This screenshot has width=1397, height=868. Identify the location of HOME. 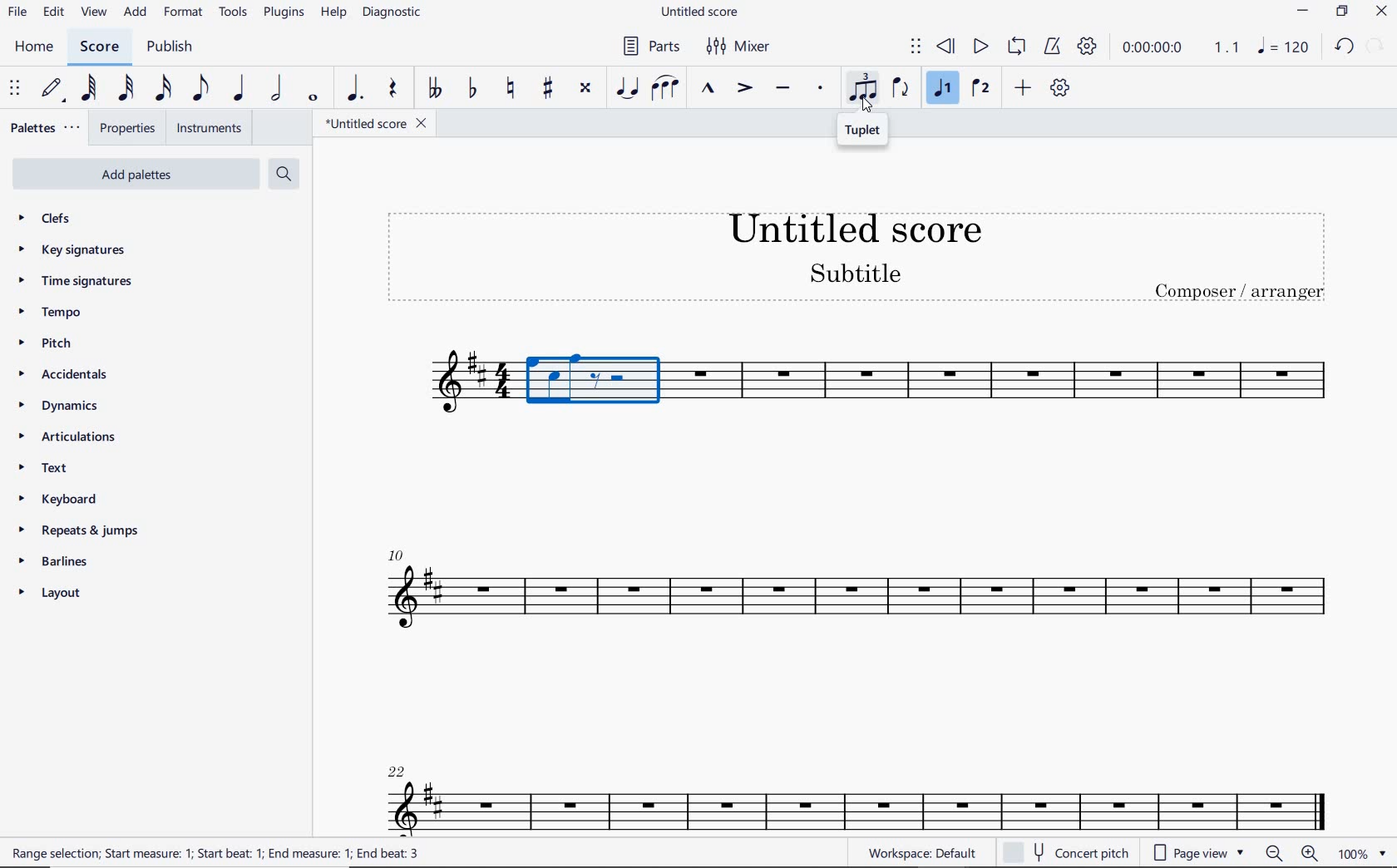
(34, 47).